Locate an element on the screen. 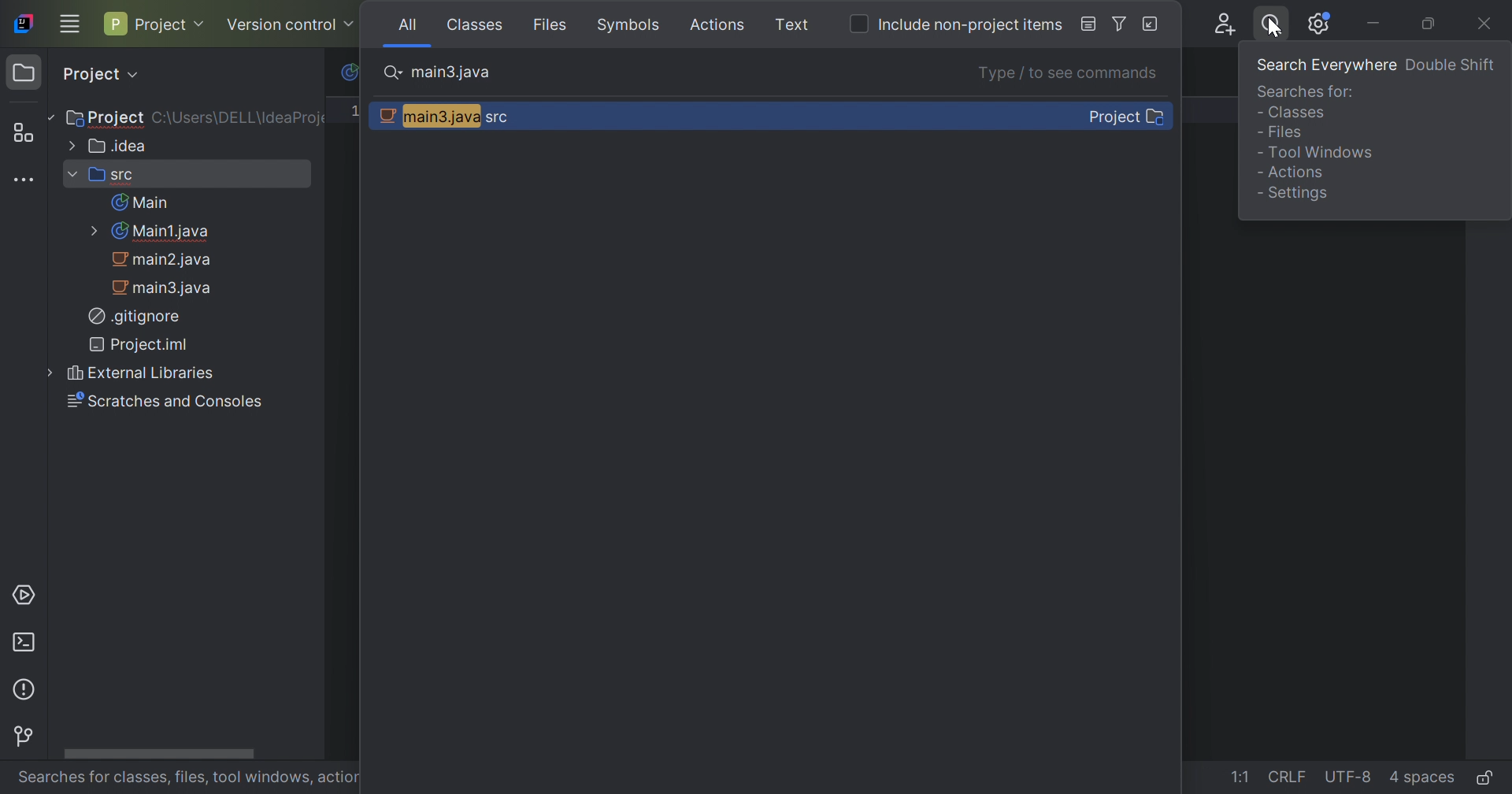 The height and width of the screenshot is (794, 1512). src is located at coordinates (102, 173).